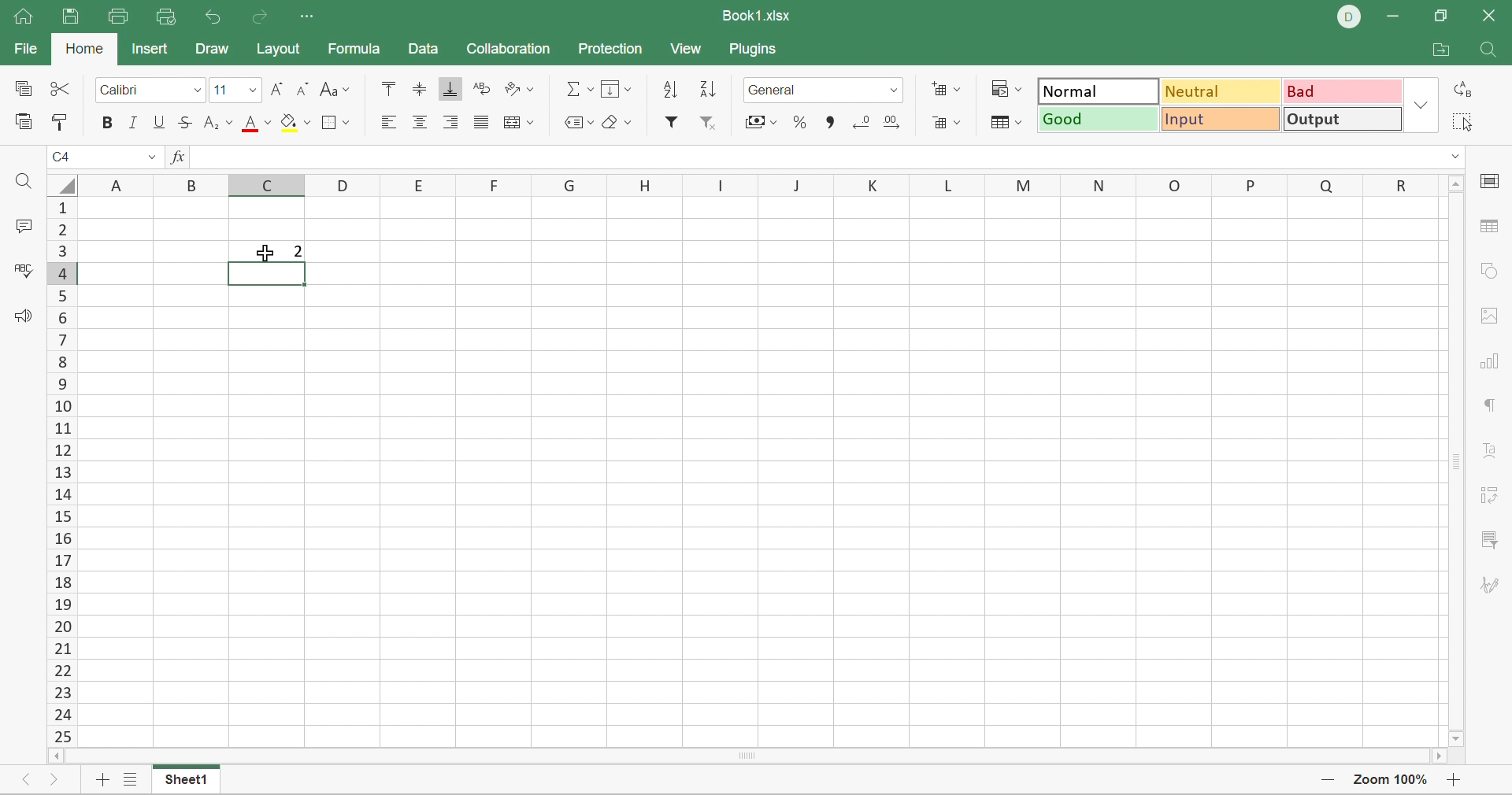 The width and height of the screenshot is (1512, 795). I want to click on Normal, so click(1098, 90).